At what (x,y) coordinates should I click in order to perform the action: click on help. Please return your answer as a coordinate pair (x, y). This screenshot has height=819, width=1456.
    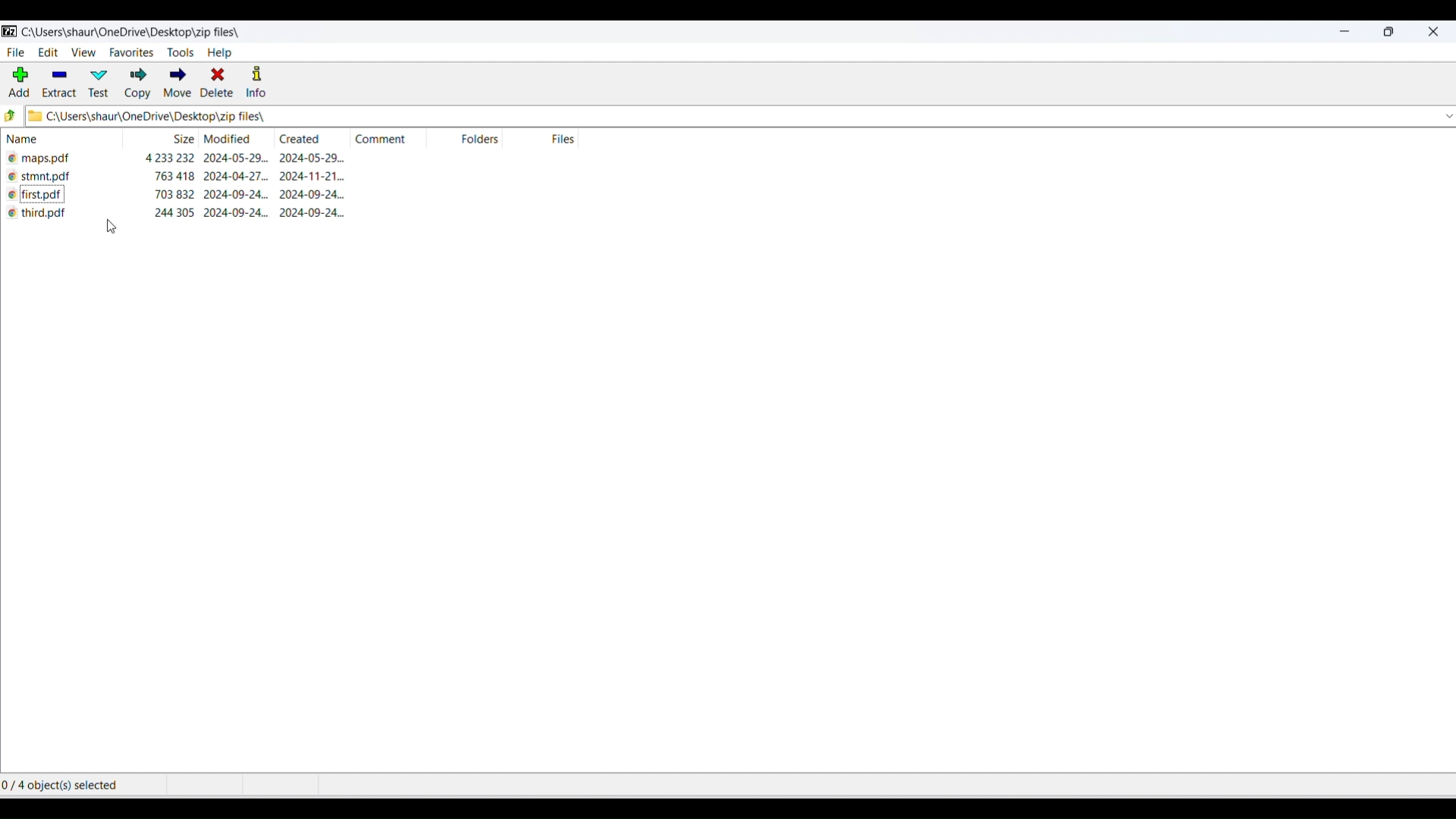
    Looking at the image, I should click on (228, 54).